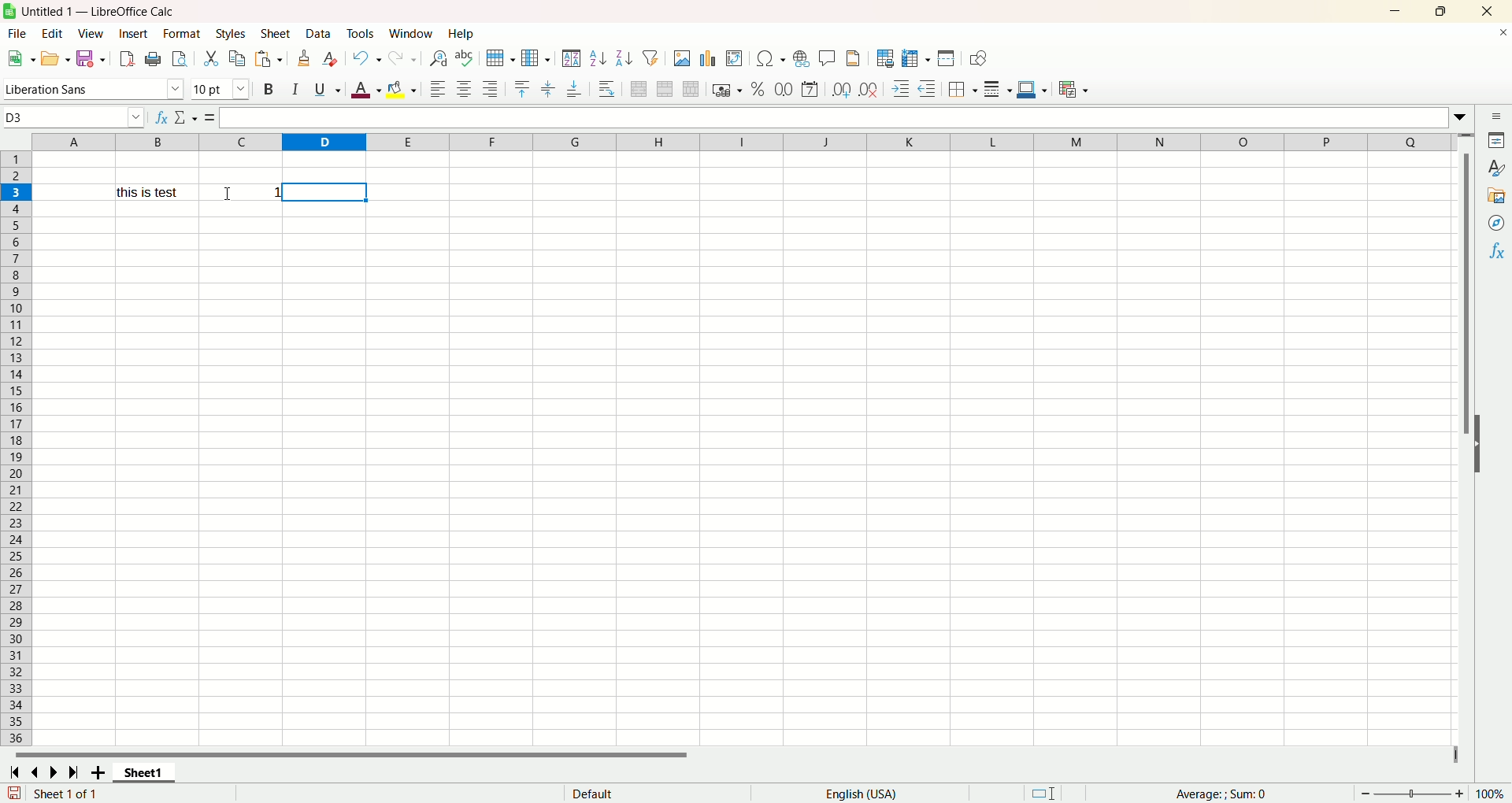  What do you see at coordinates (1503, 35) in the screenshot?
I see `close document` at bounding box center [1503, 35].